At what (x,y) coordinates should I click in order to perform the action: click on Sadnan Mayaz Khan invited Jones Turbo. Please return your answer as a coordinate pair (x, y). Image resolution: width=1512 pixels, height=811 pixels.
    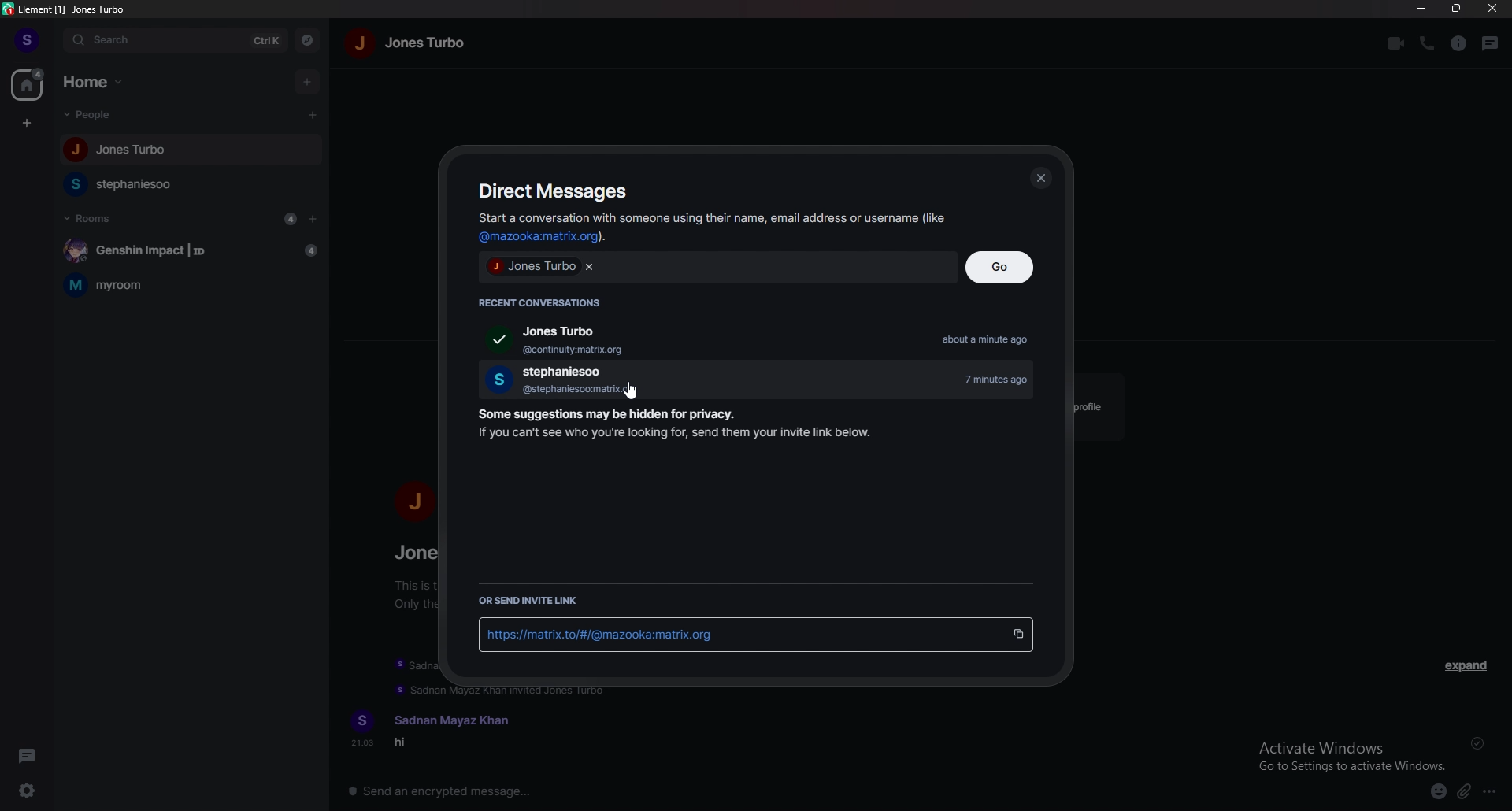
    Looking at the image, I should click on (516, 691).